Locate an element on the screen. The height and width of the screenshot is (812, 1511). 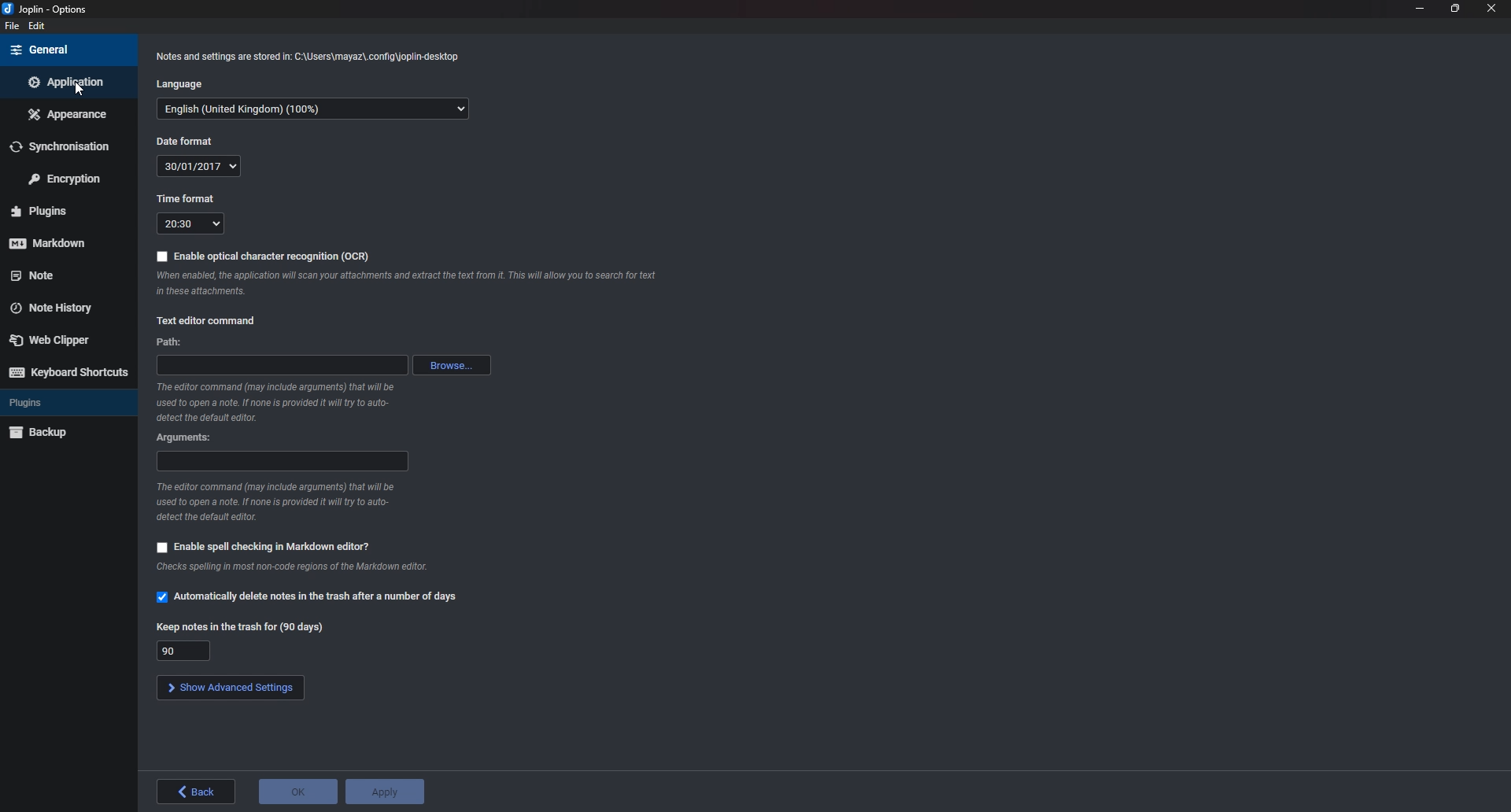
note is located at coordinates (58, 275).